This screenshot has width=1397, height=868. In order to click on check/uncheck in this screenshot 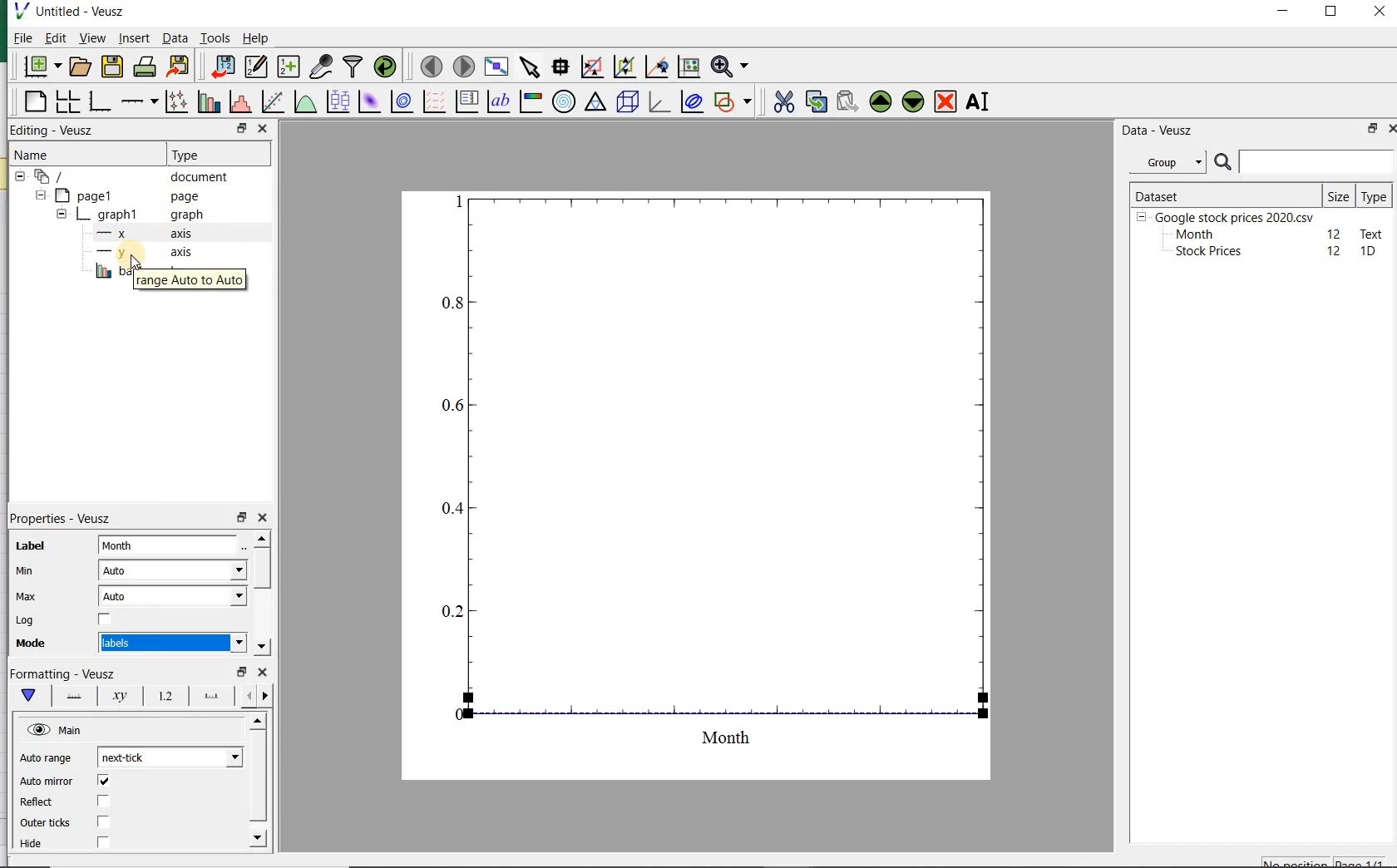, I will do `click(102, 843)`.